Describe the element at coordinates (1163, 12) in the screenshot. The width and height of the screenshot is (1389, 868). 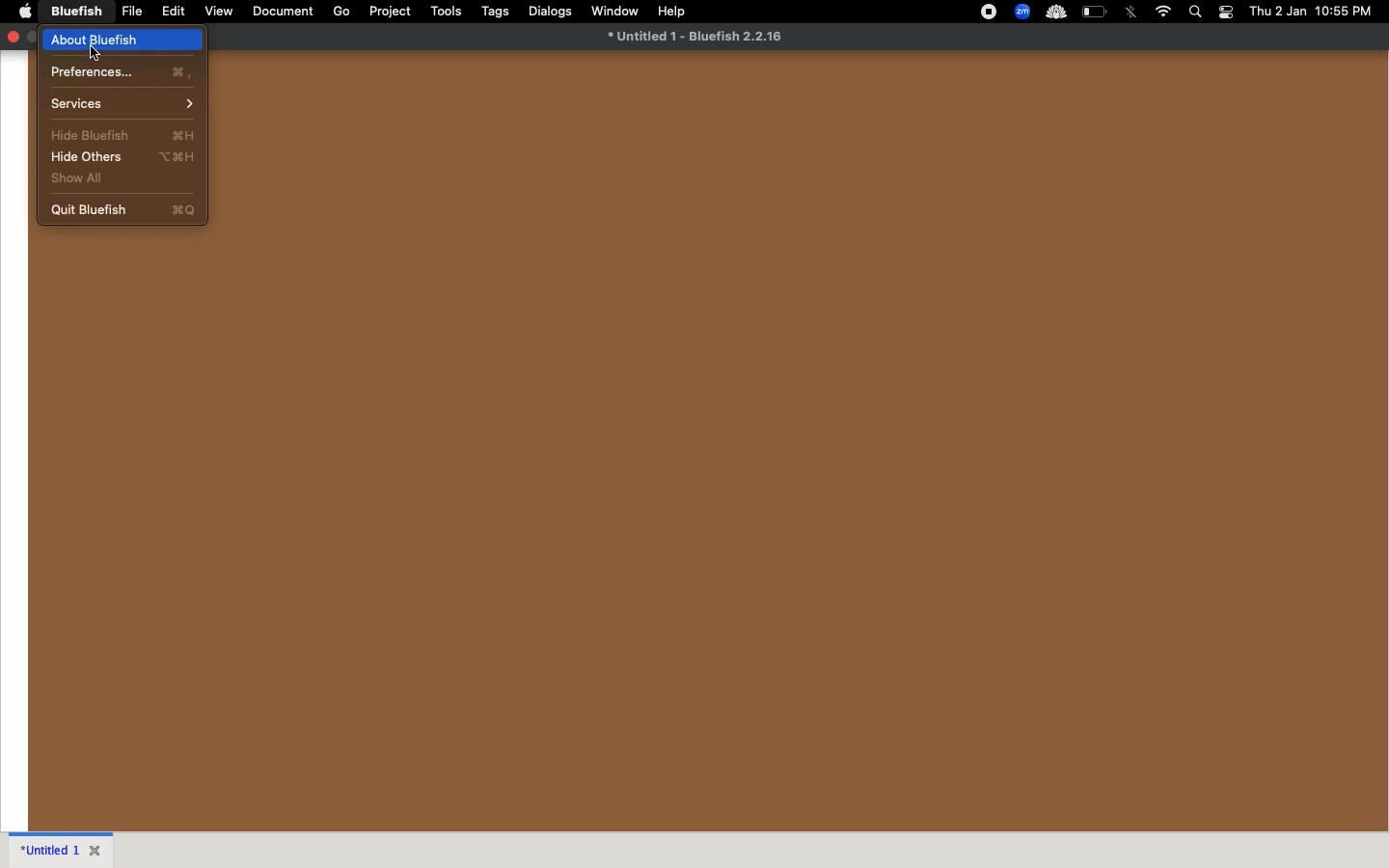
I see `internet` at that location.